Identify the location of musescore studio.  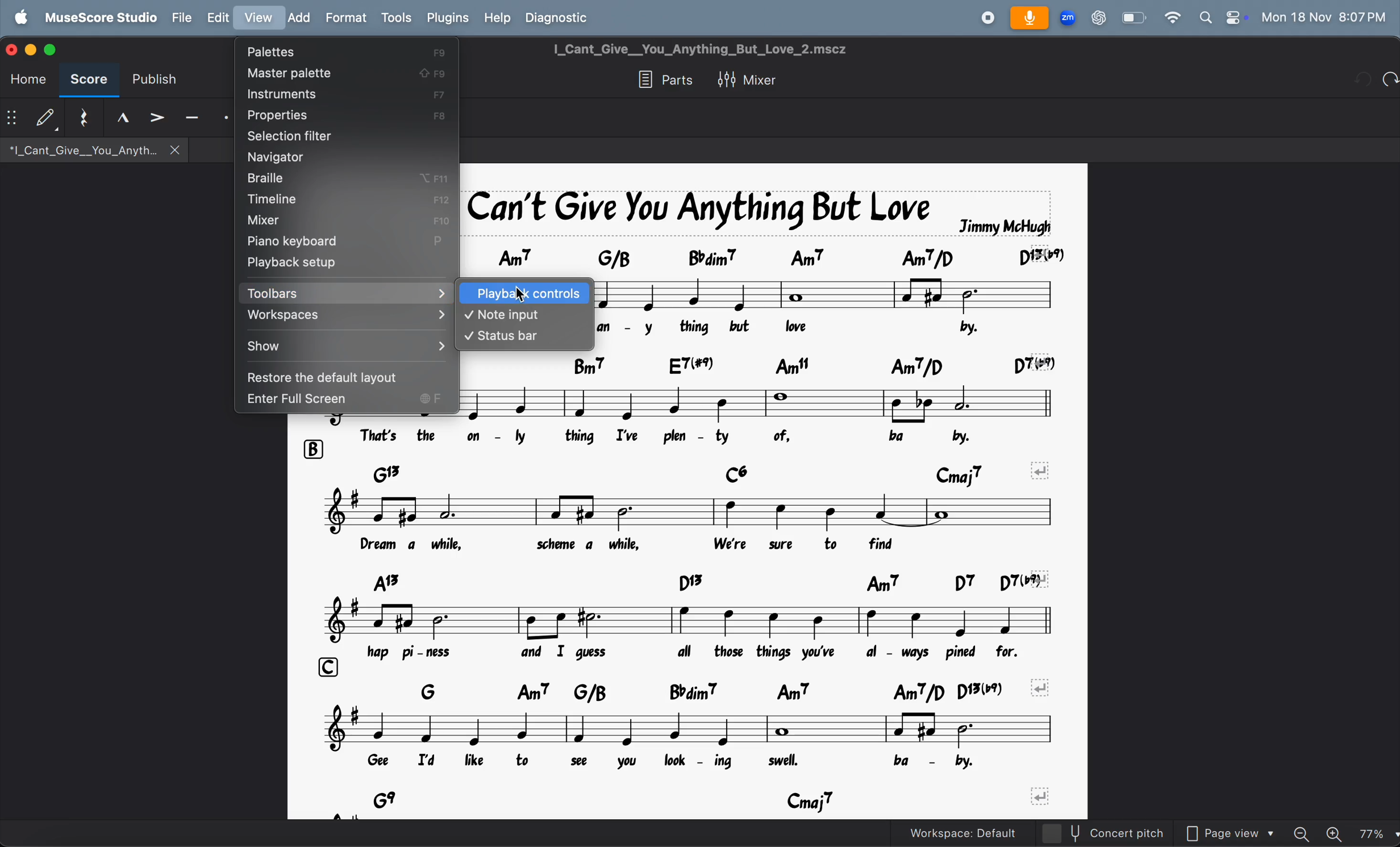
(98, 18).